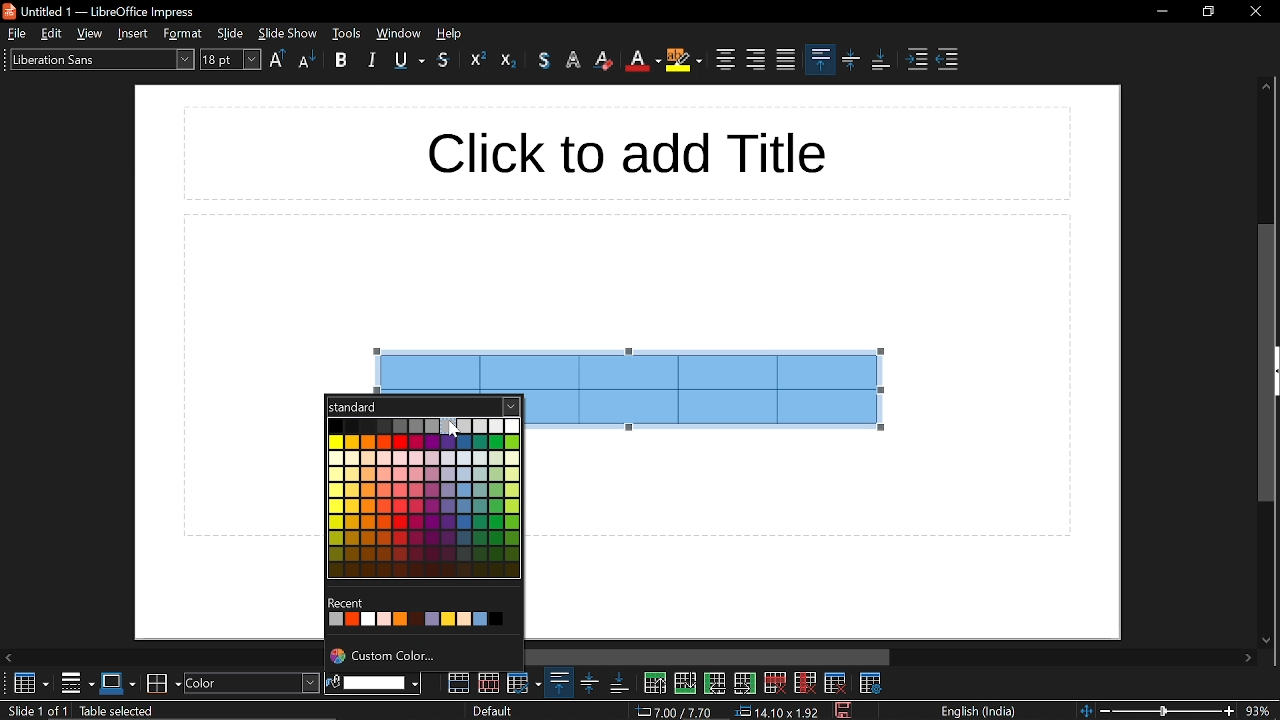 The height and width of the screenshot is (720, 1280). Describe the element at coordinates (1205, 14) in the screenshot. I see `restore down` at that location.